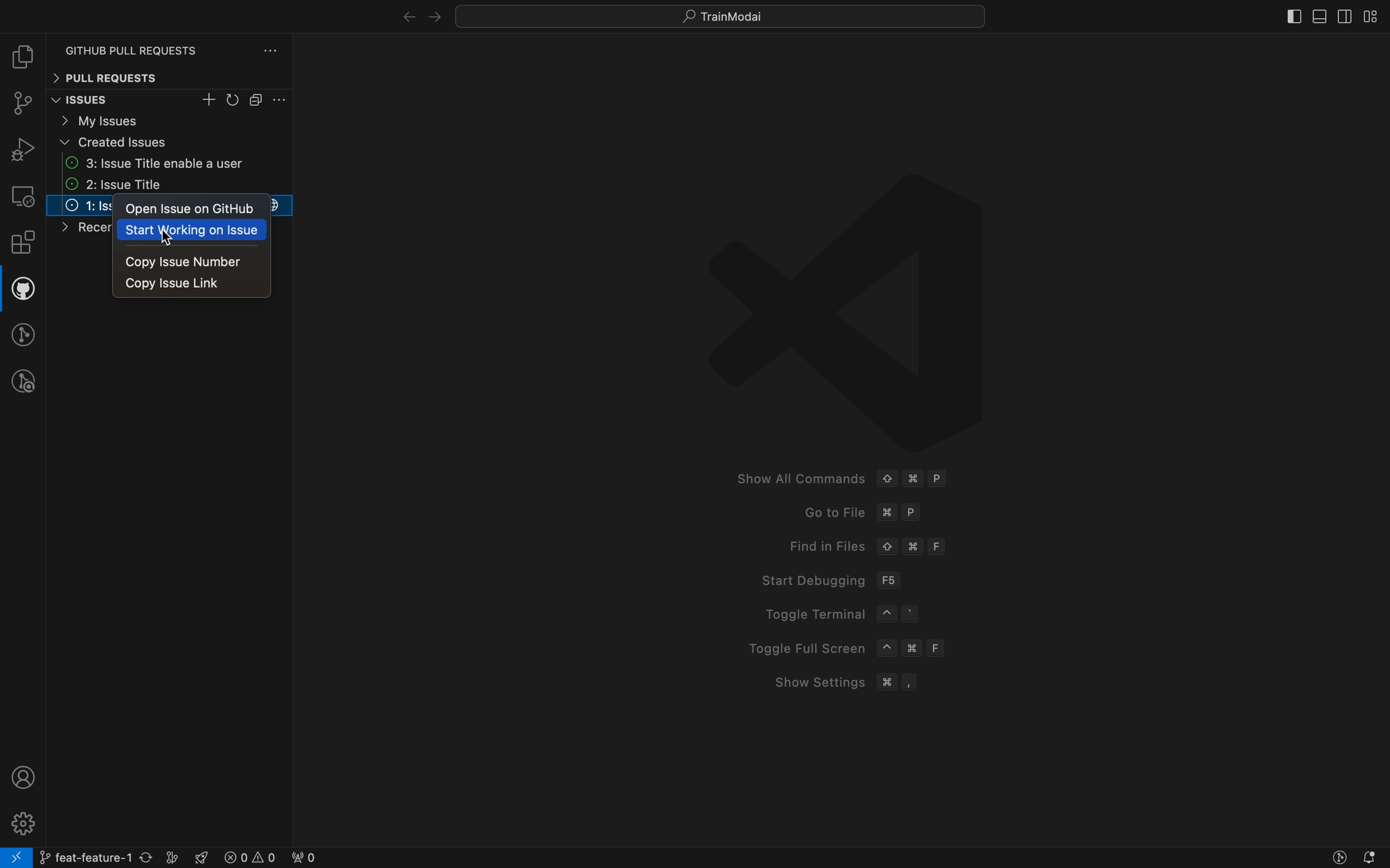  Describe the element at coordinates (194, 208) in the screenshot. I see `open on github` at that location.